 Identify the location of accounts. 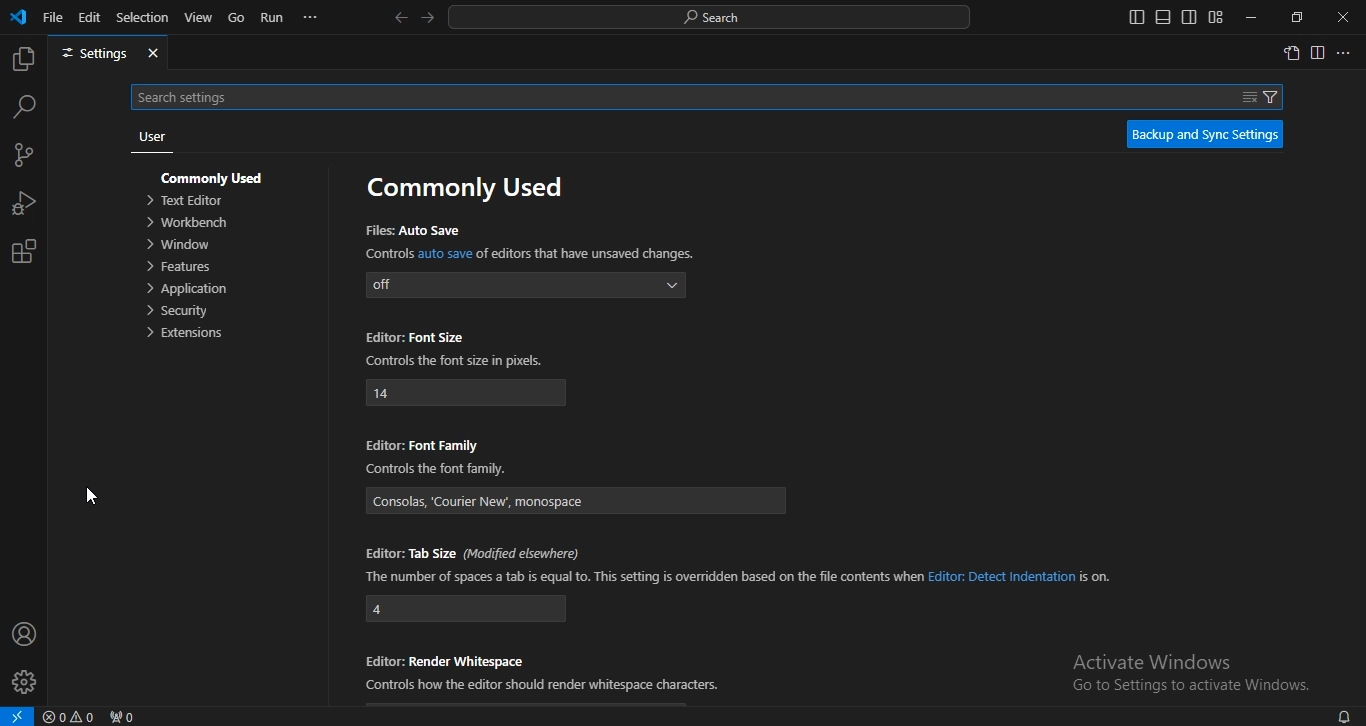
(25, 633).